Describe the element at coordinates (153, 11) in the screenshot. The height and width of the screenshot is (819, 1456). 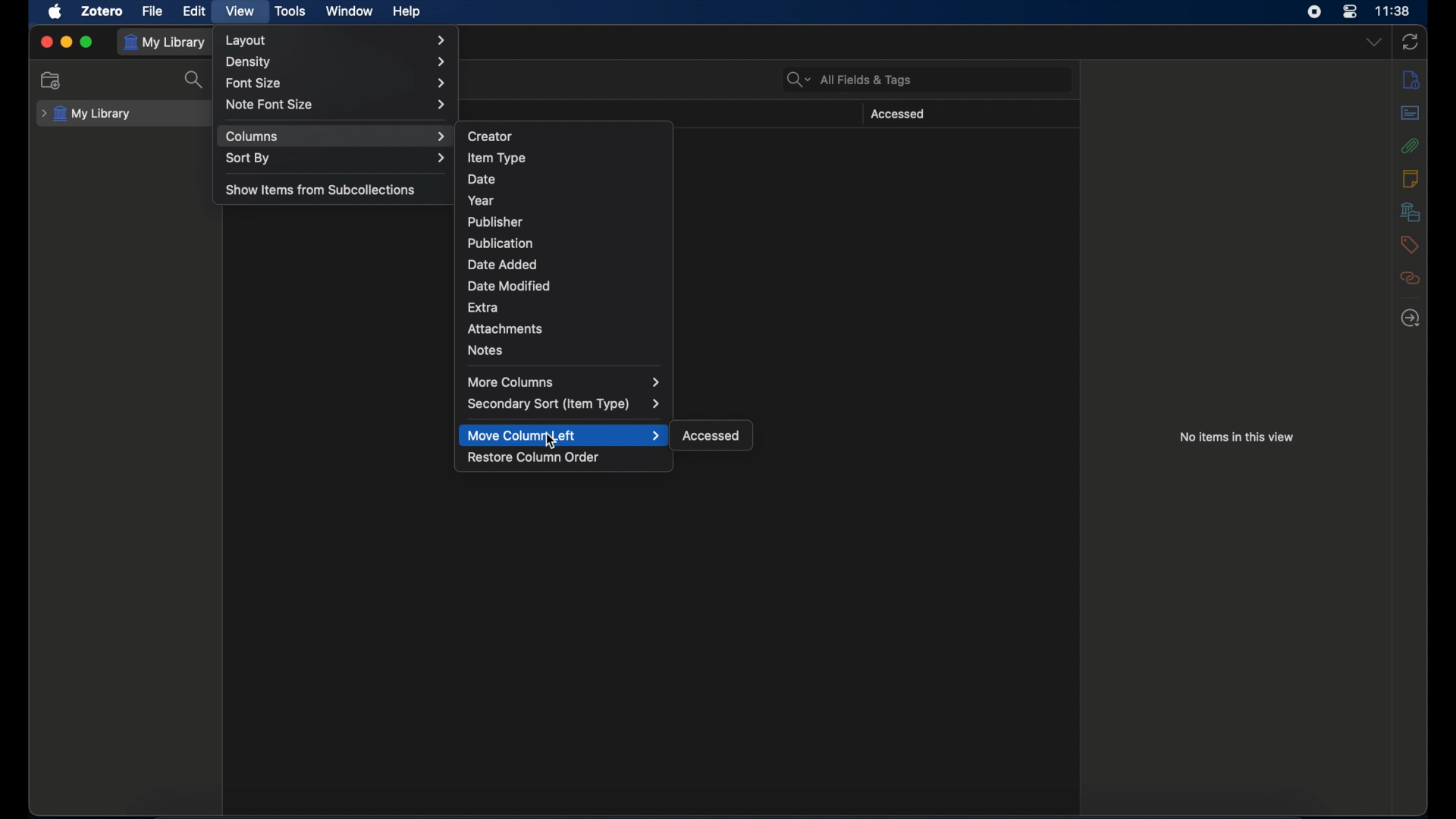
I see `file` at that location.